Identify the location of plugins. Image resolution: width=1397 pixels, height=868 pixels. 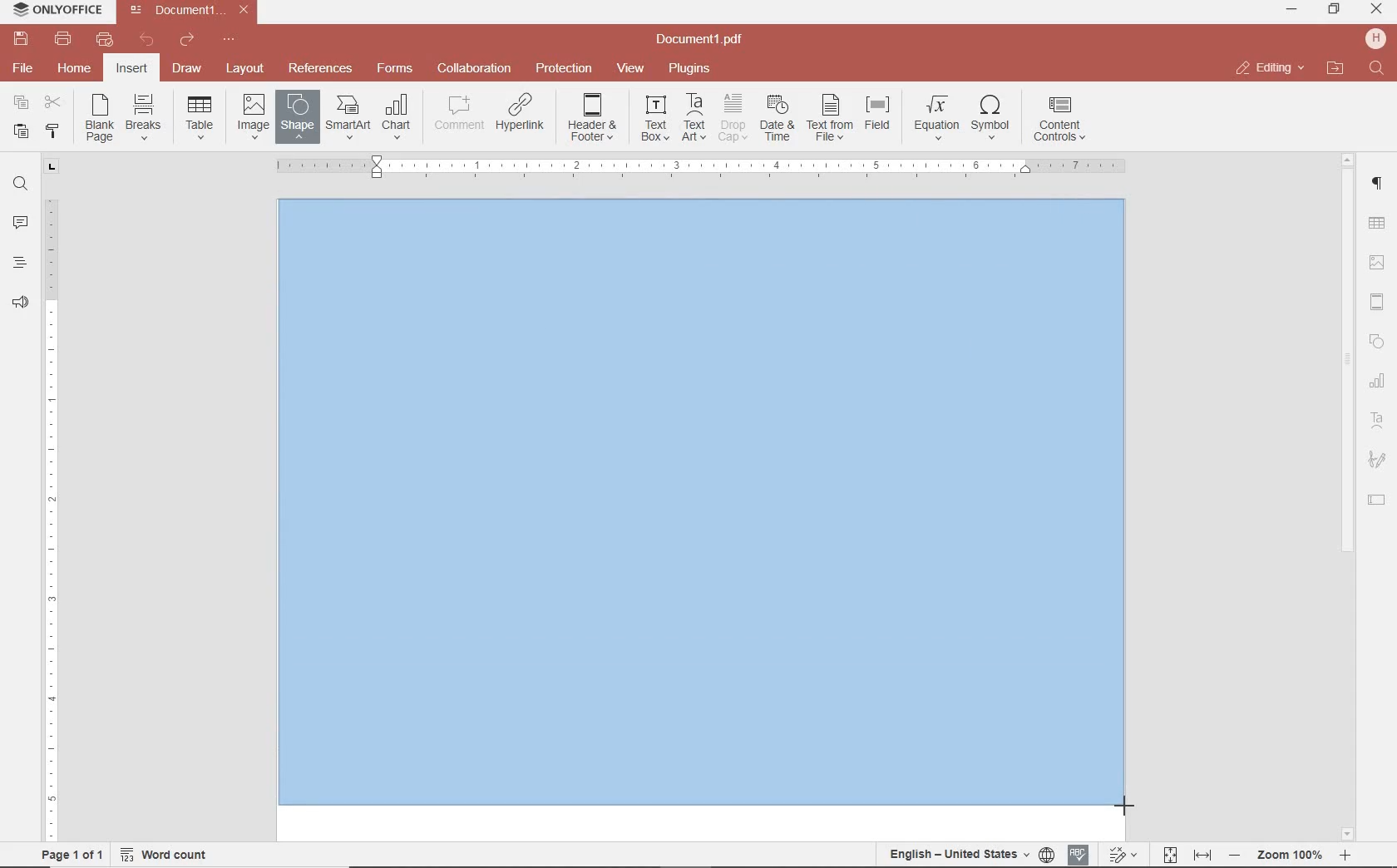
(693, 69).